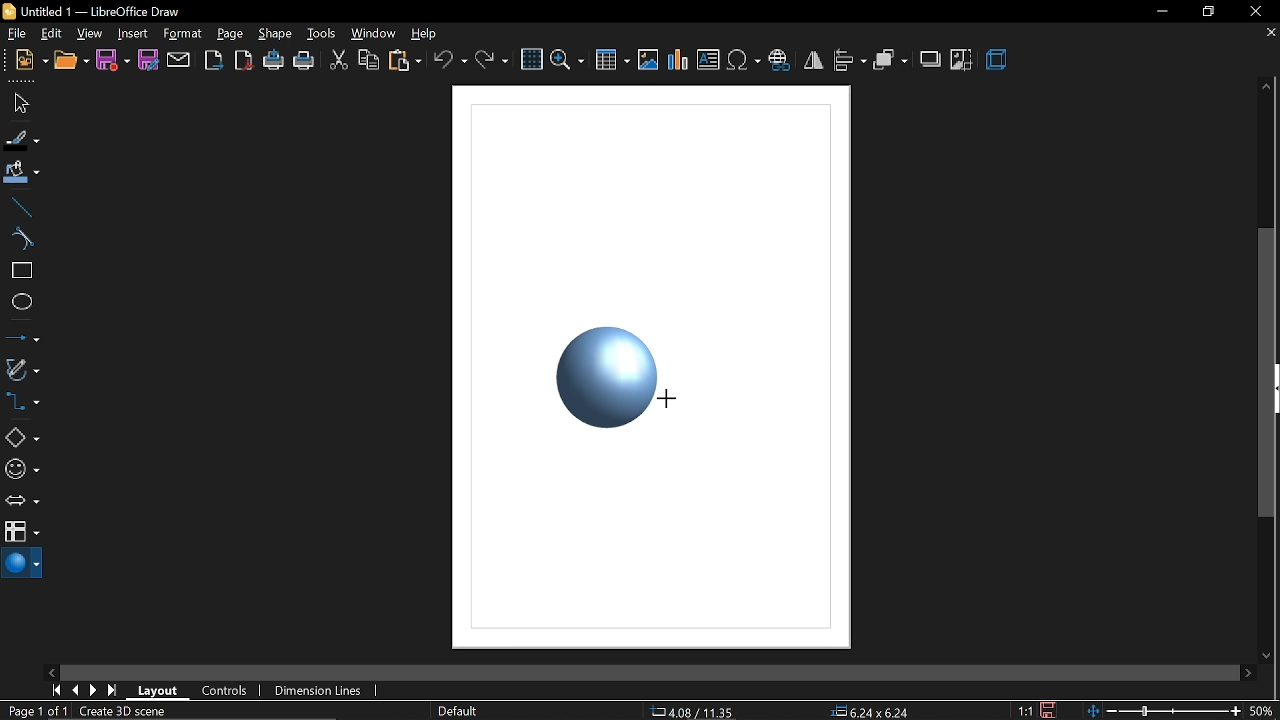 This screenshot has height=720, width=1280. What do you see at coordinates (429, 33) in the screenshot?
I see `help` at bounding box center [429, 33].